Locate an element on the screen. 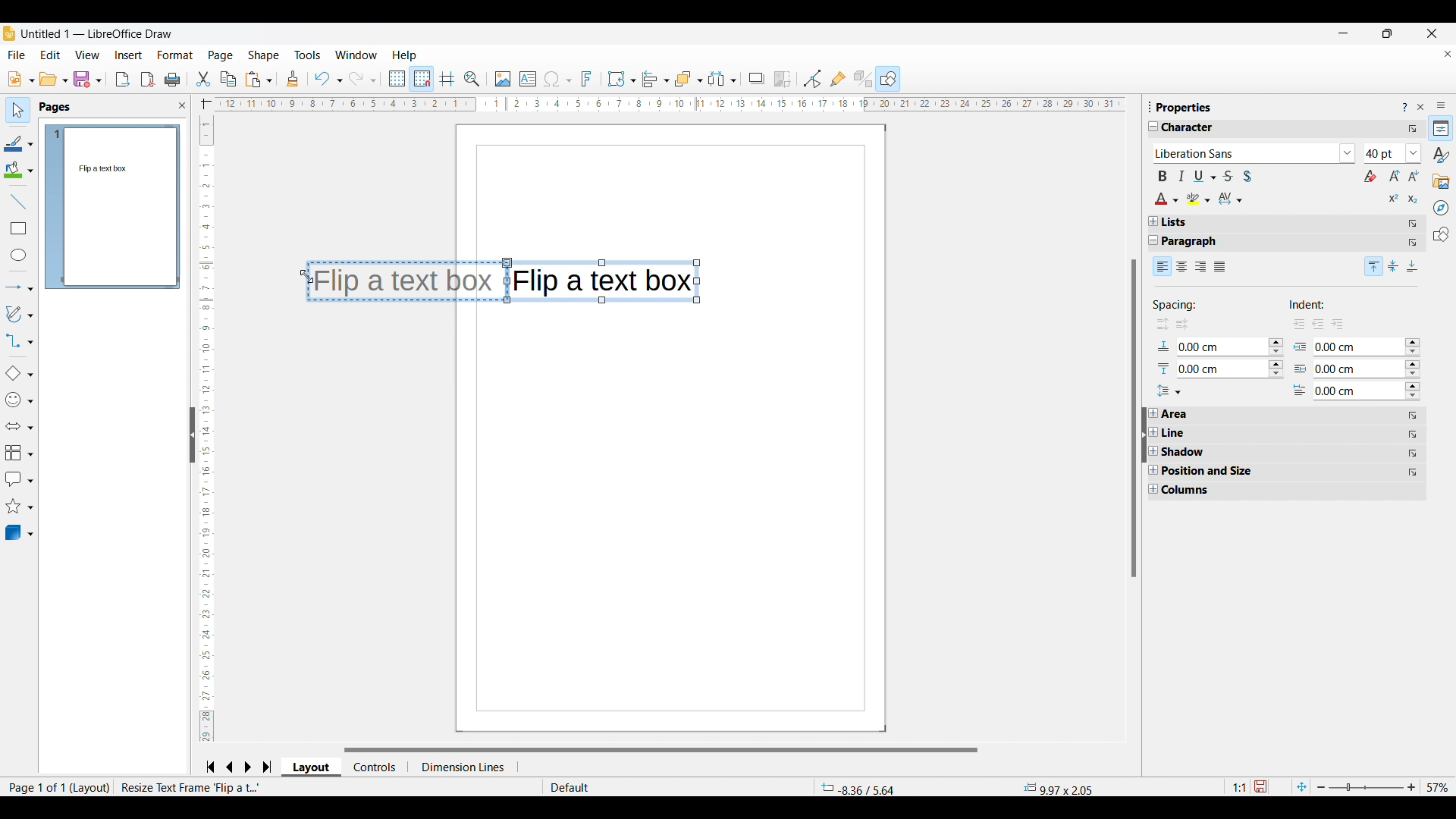 The height and width of the screenshot is (819, 1456). Top alignment is located at coordinates (1374, 266).